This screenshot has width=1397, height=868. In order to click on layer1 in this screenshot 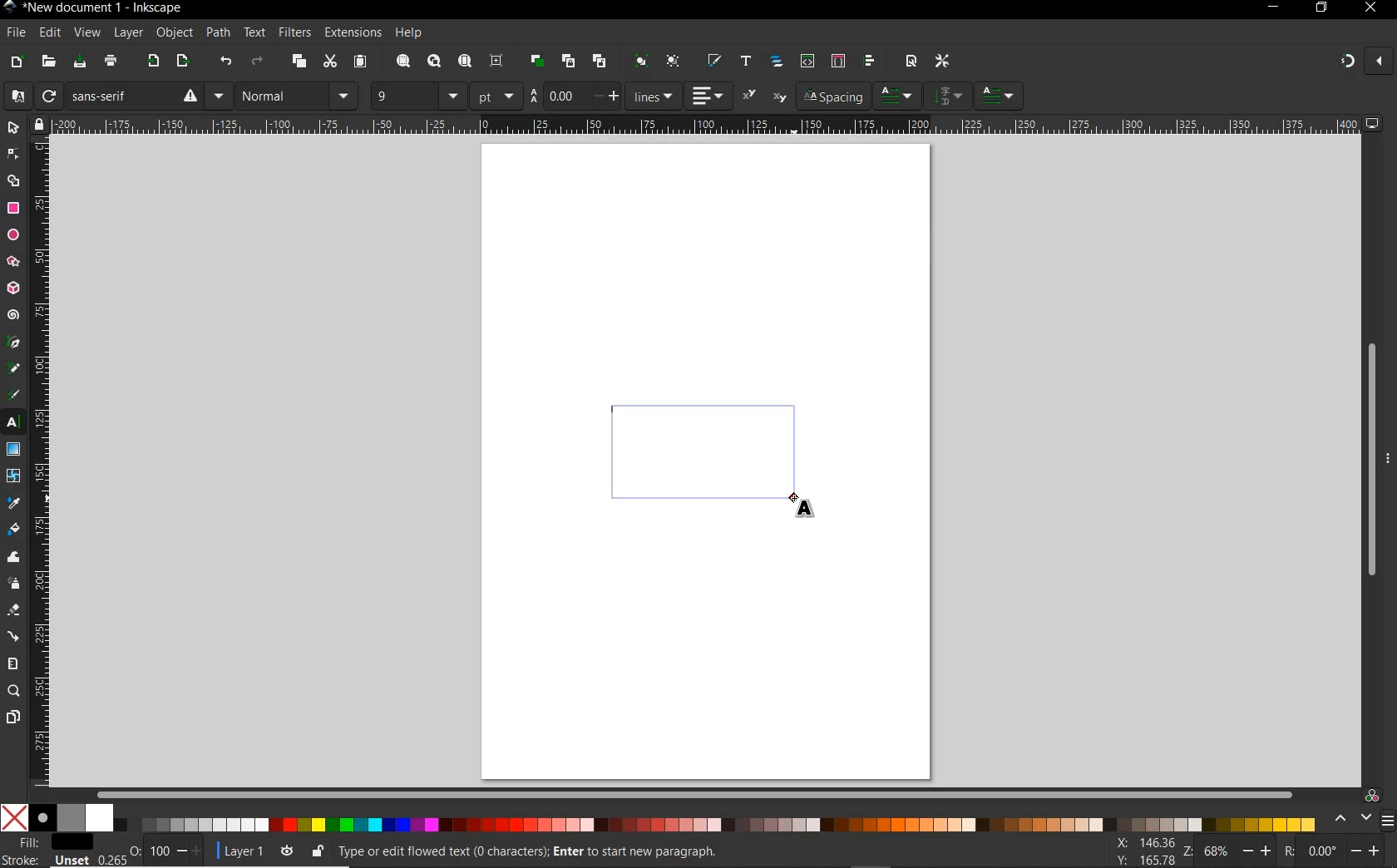, I will do `click(239, 848)`.